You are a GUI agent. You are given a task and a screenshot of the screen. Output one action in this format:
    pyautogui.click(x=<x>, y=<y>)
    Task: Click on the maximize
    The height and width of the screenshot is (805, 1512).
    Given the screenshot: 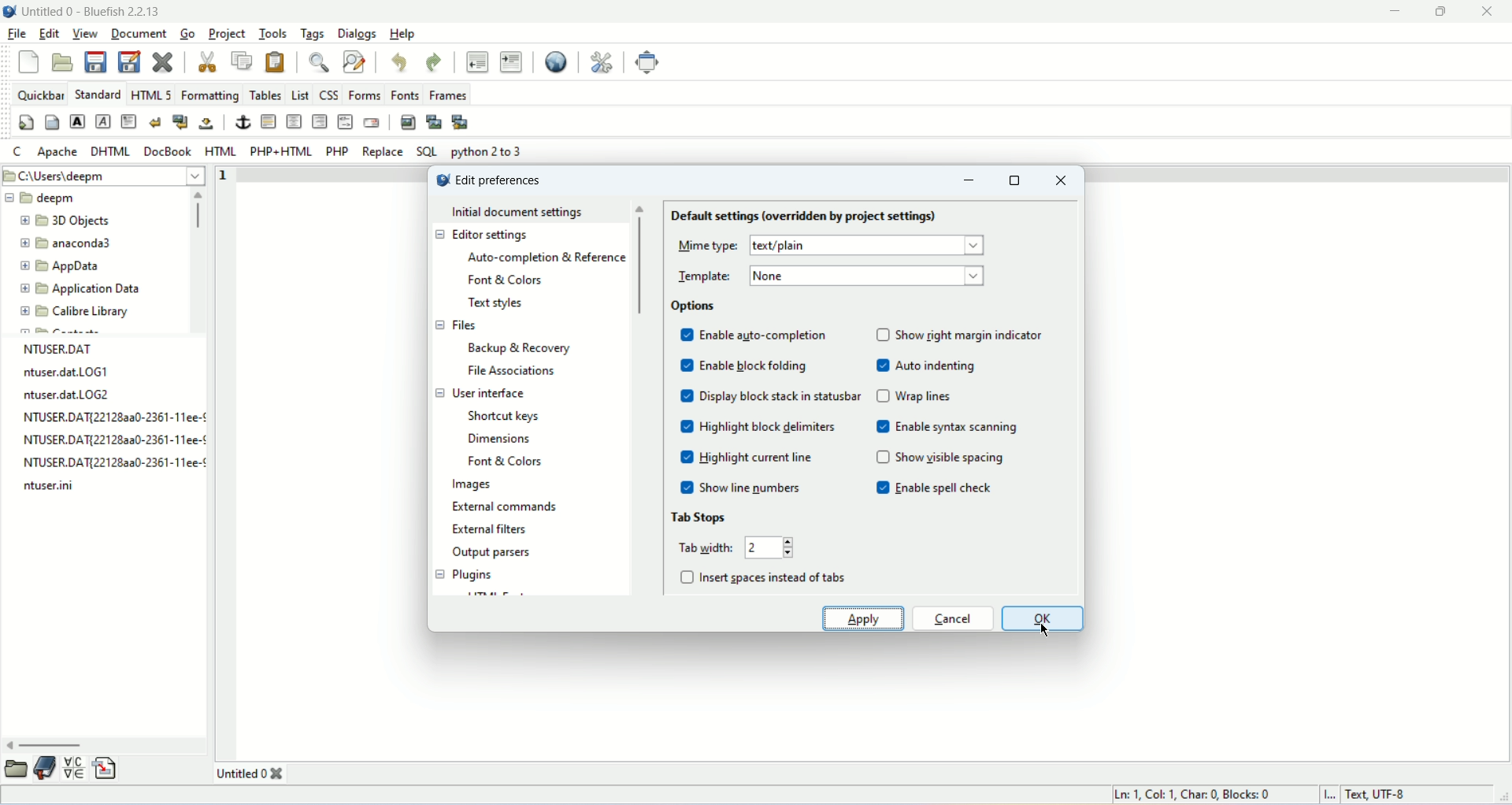 What is the action you would take?
    pyautogui.click(x=1443, y=12)
    